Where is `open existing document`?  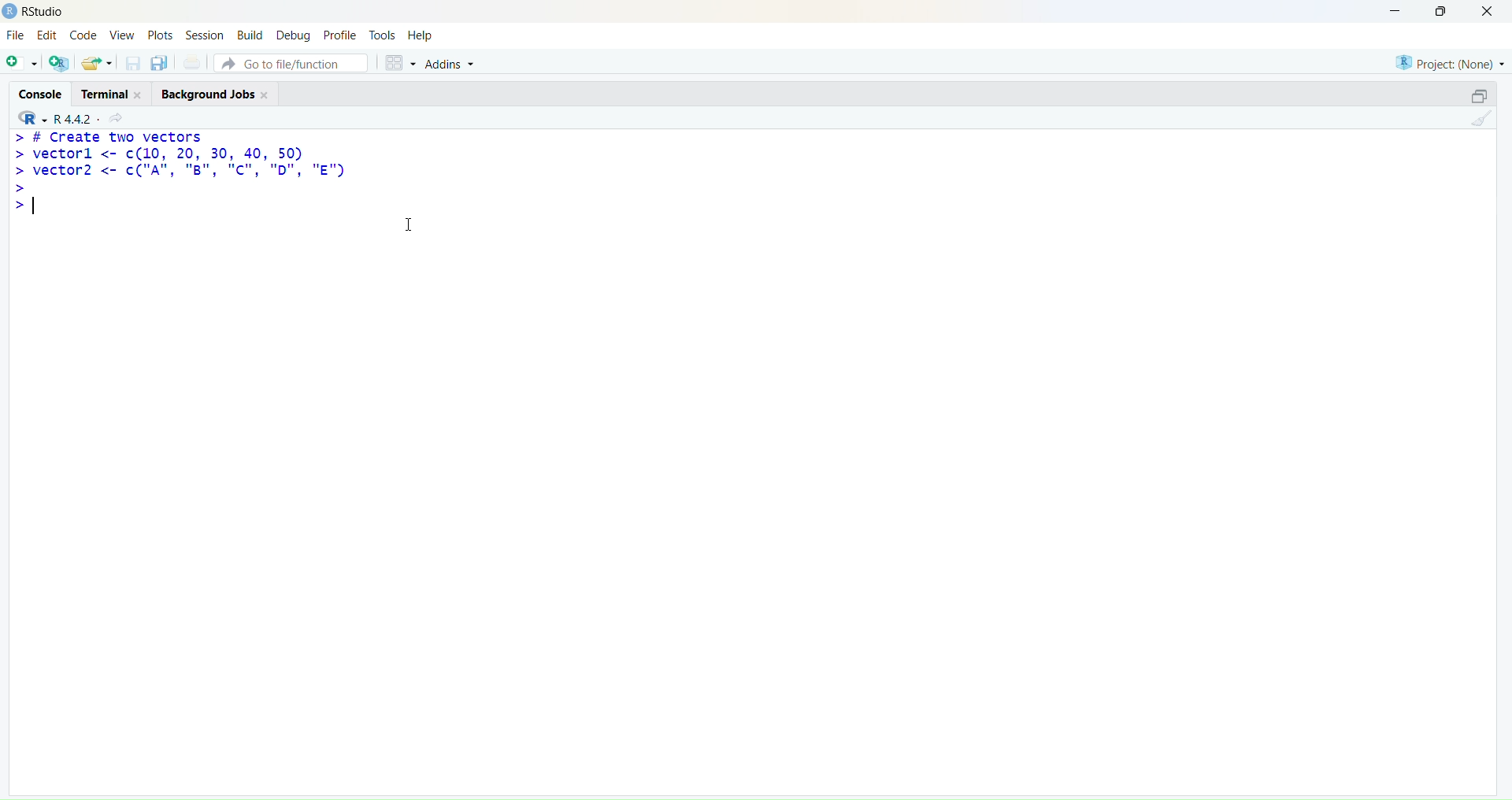 open existing document is located at coordinates (97, 64).